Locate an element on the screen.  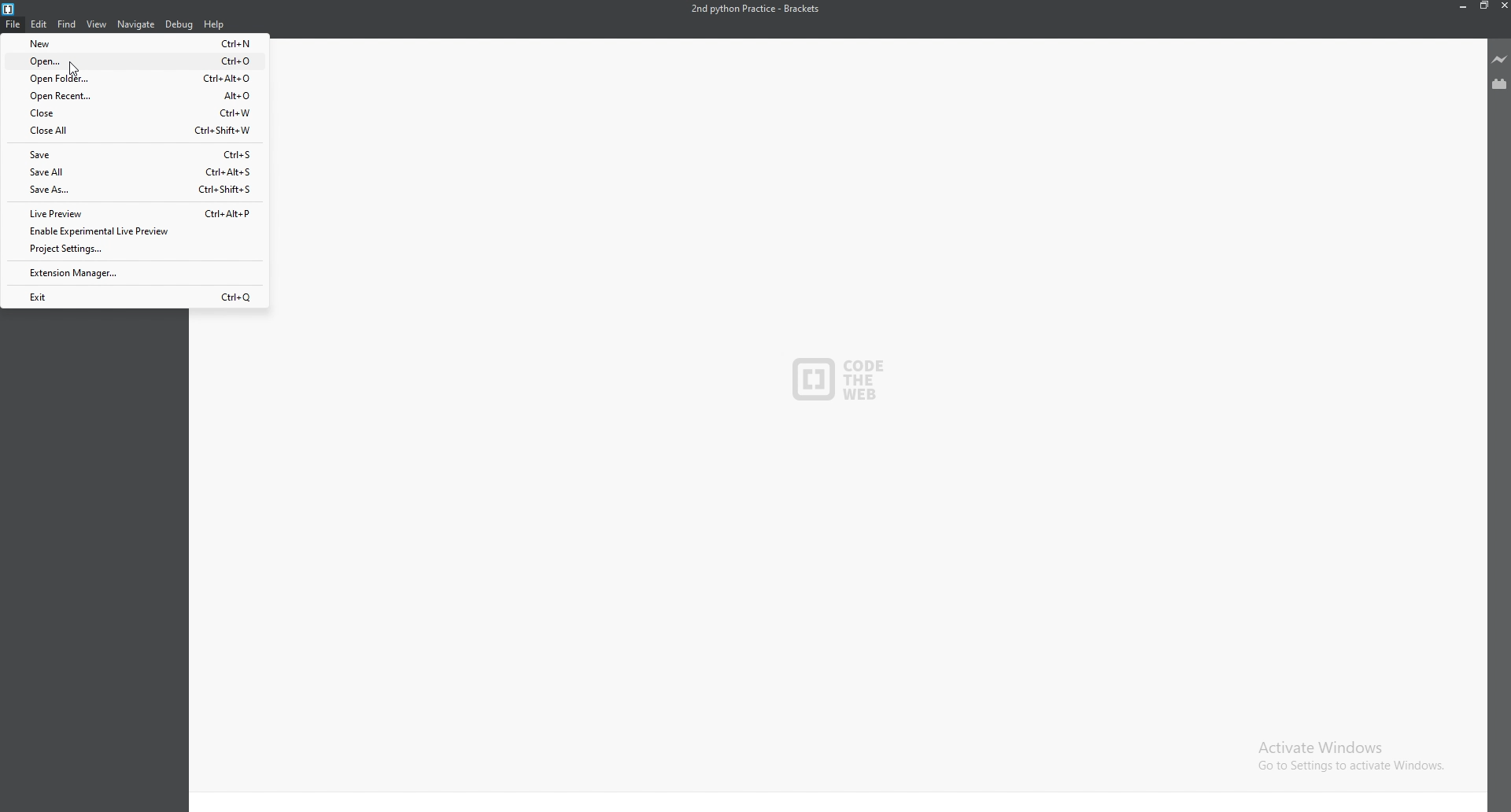
CODE THE WEB - logo is located at coordinates (839, 380).